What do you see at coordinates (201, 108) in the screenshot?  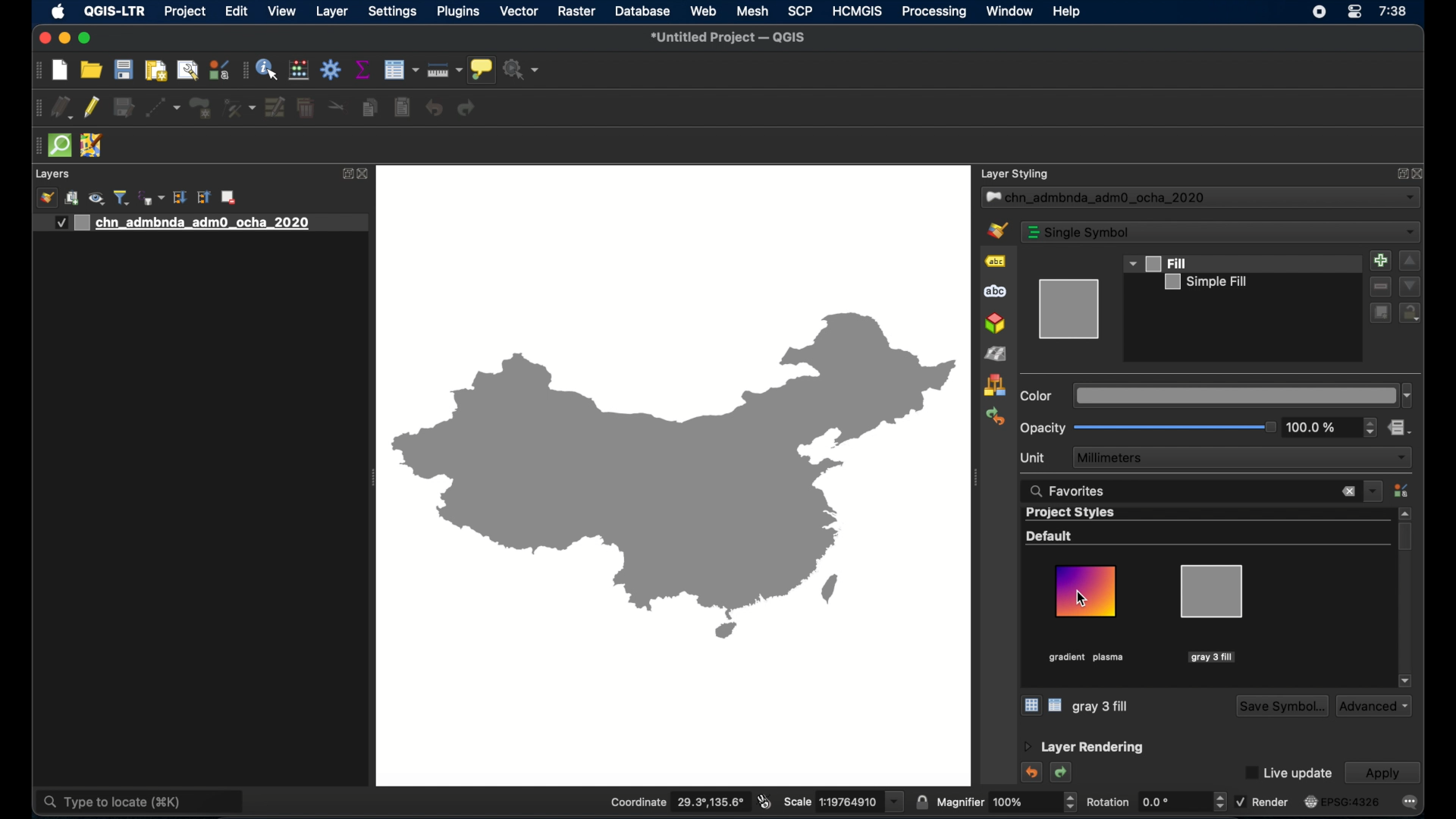 I see `polygon feature` at bounding box center [201, 108].